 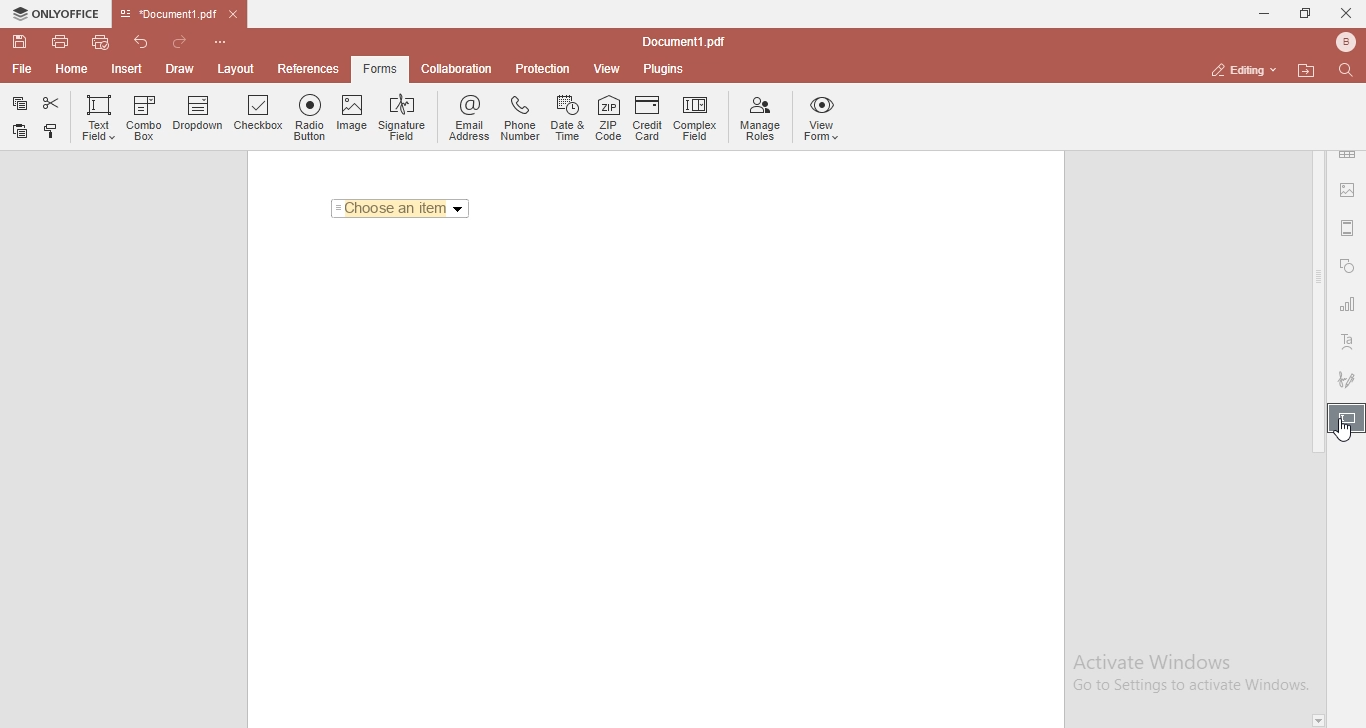 I want to click on copy style, so click(x=53, y=131).